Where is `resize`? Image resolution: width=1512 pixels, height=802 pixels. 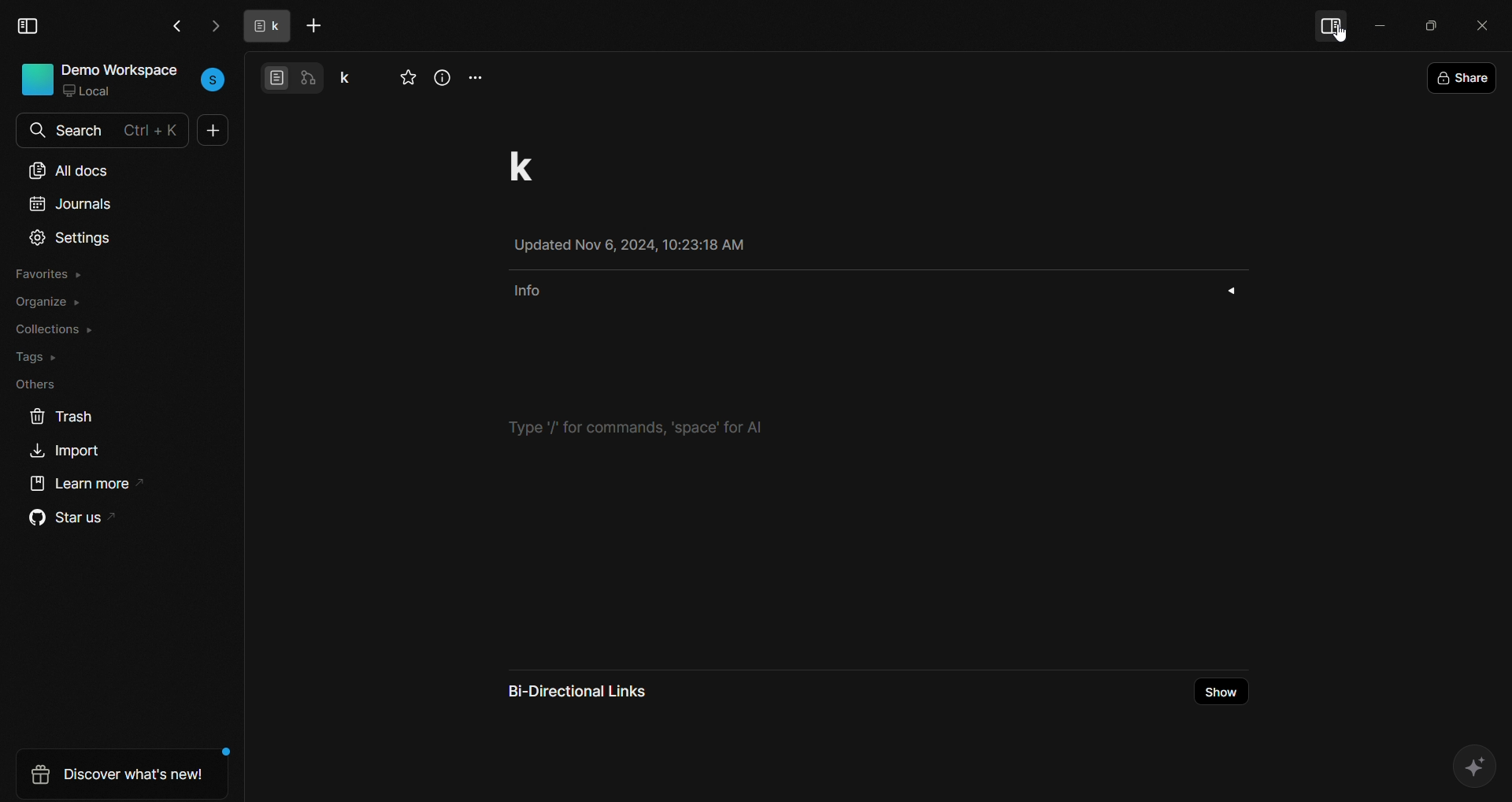 resize is located at coordinates (1431, 24).